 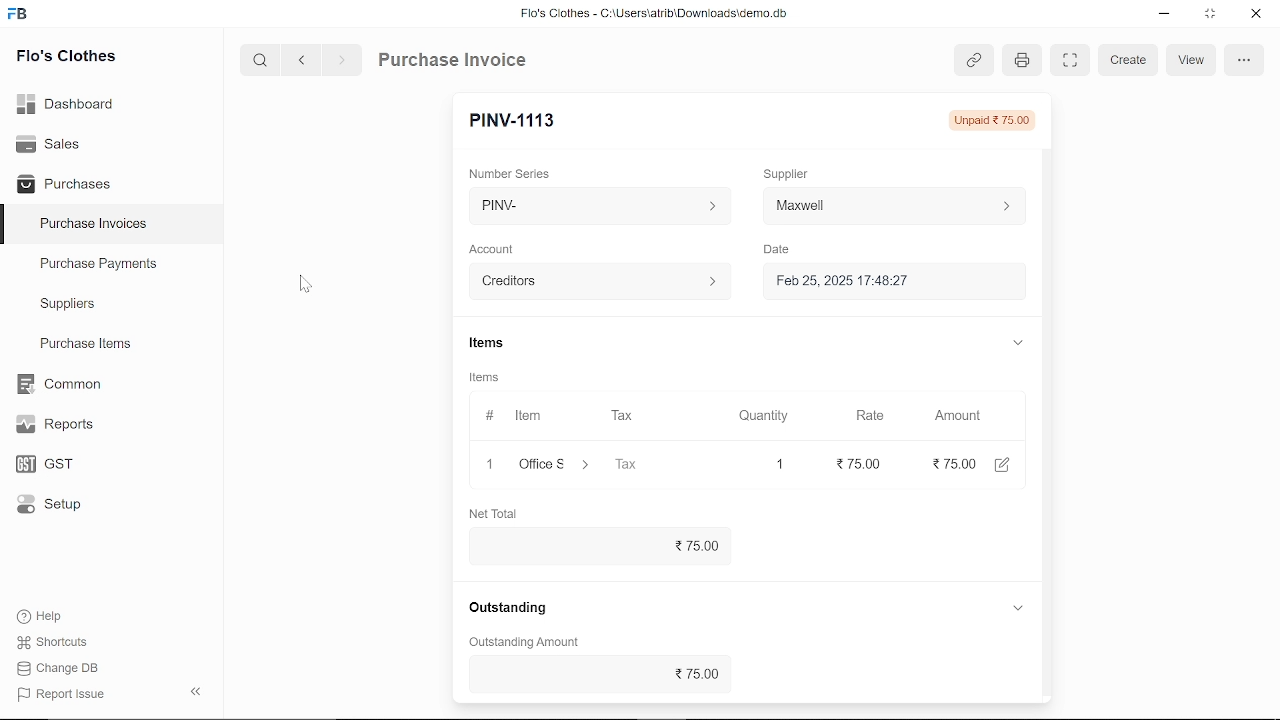 I want to click on ‘Number Series, so click(x=516, y=173).